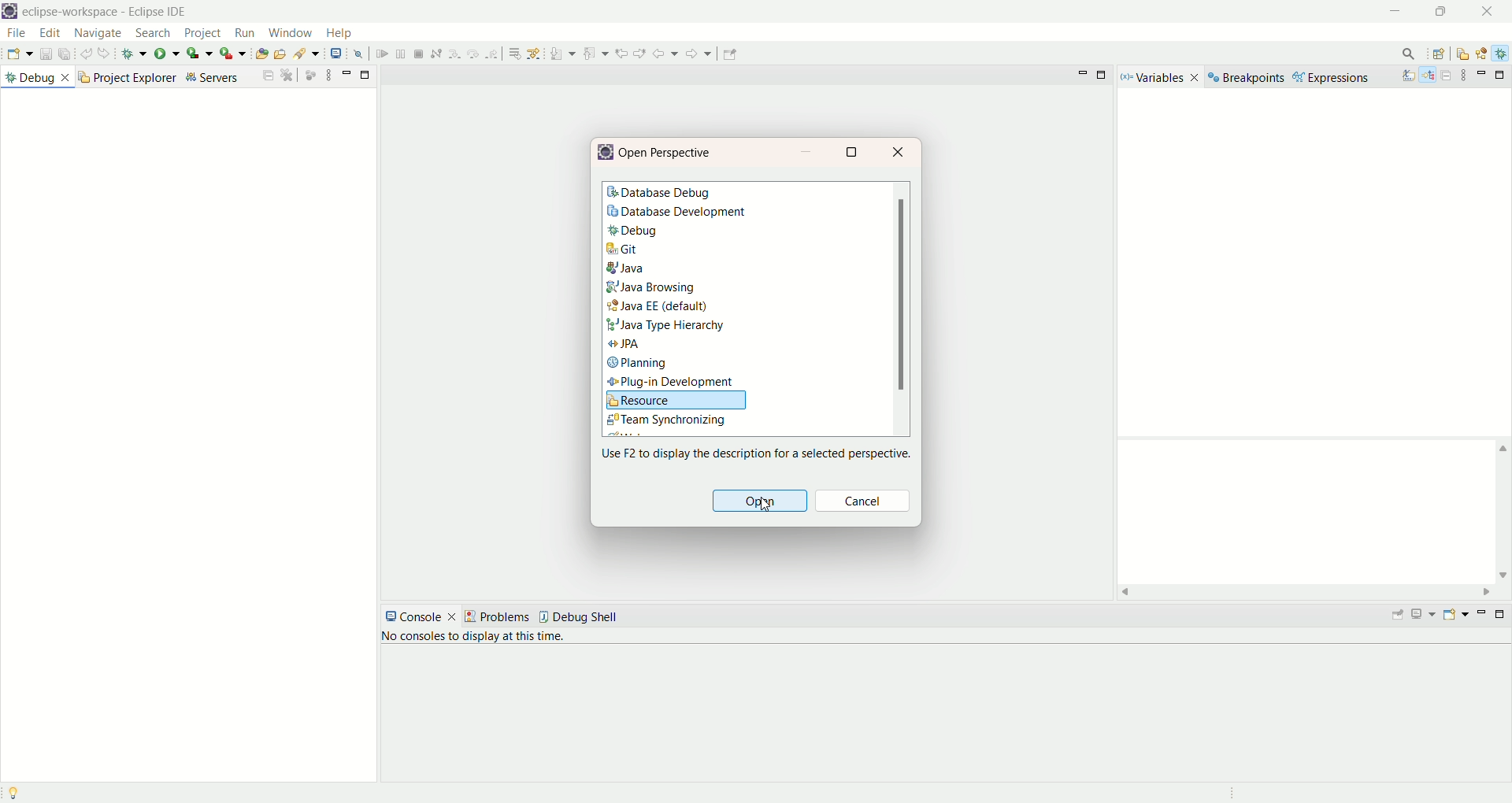 The width and height of the screenshot is (1512, 803). What do you see at coordinates (231, 54) in the screenshot?
I see `run last tool` at bounding box center [231, 54].